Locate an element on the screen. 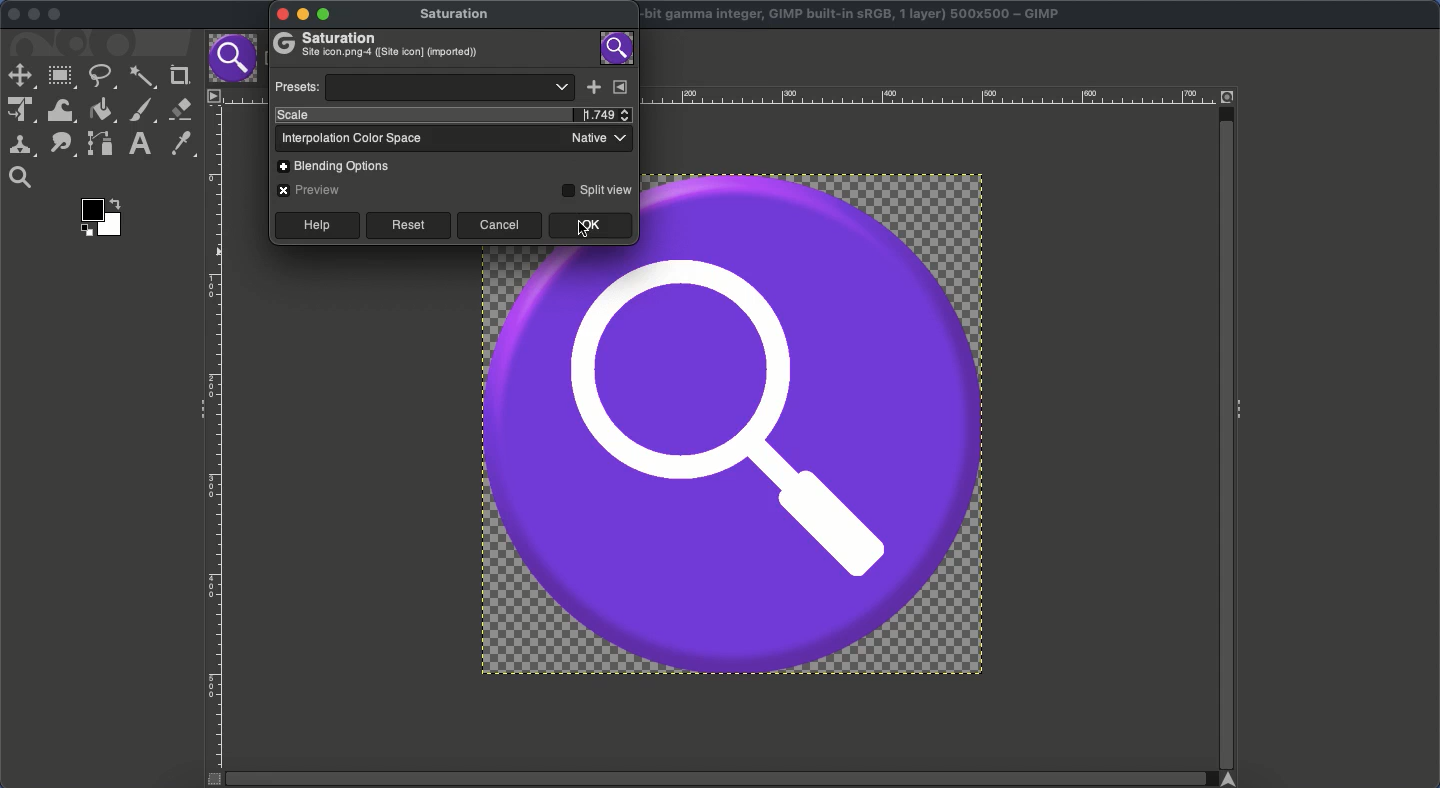 The width and height of the screenshot is (1440, 788). close is located at coordinates (280, 15).